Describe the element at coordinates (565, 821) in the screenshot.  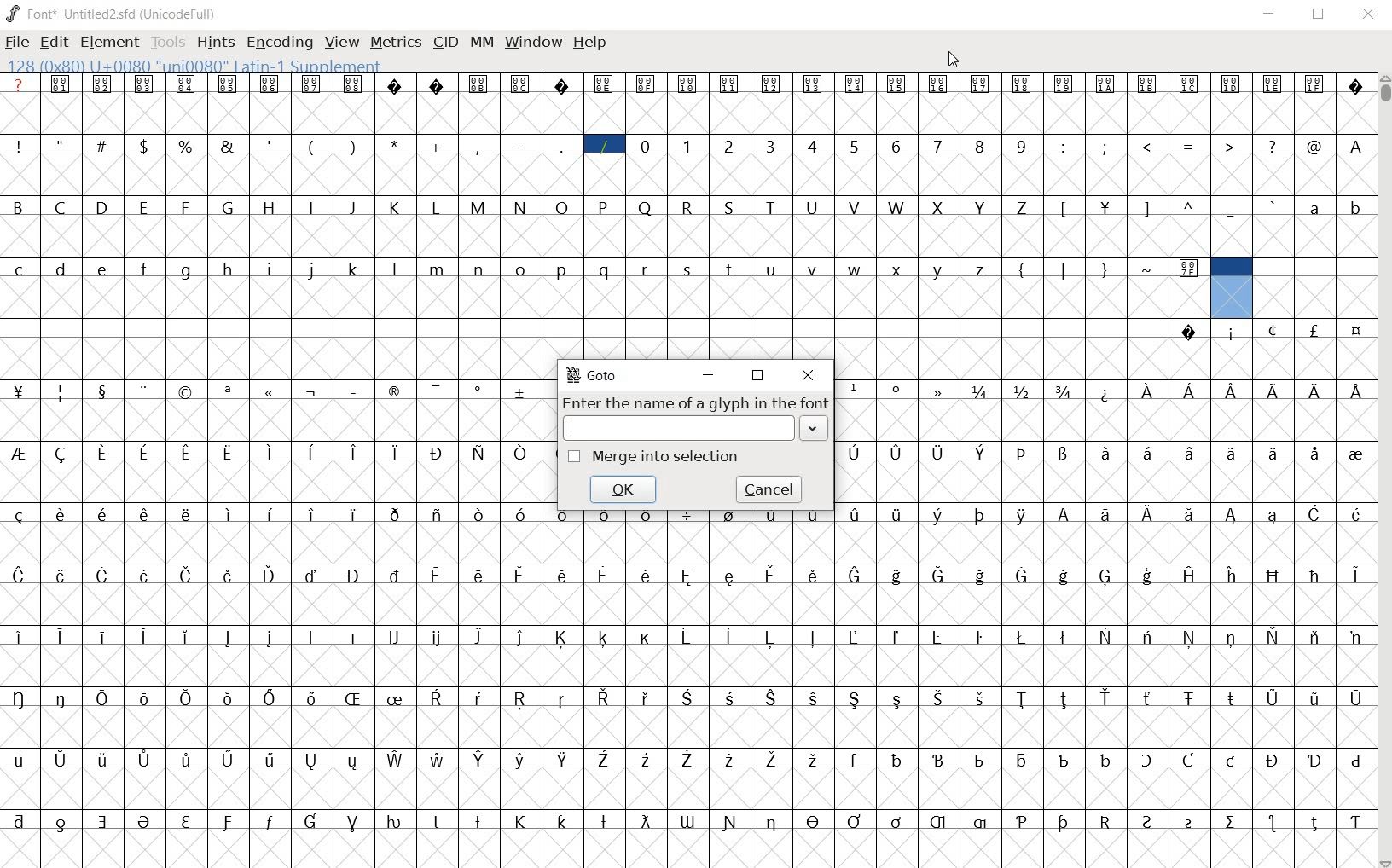
I see `Symbol` at that location.